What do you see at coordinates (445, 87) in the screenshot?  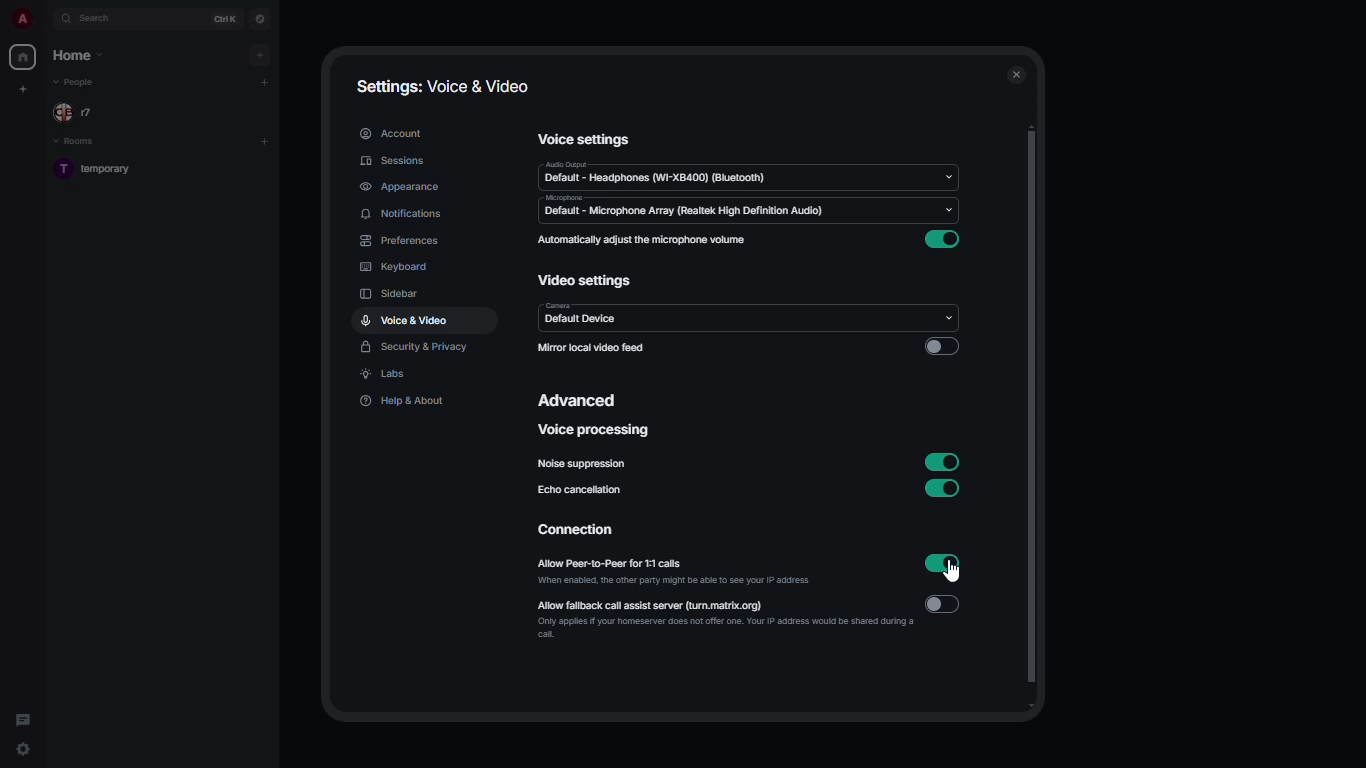 I see `settings: voice & video` at bounding box center [445, 87].